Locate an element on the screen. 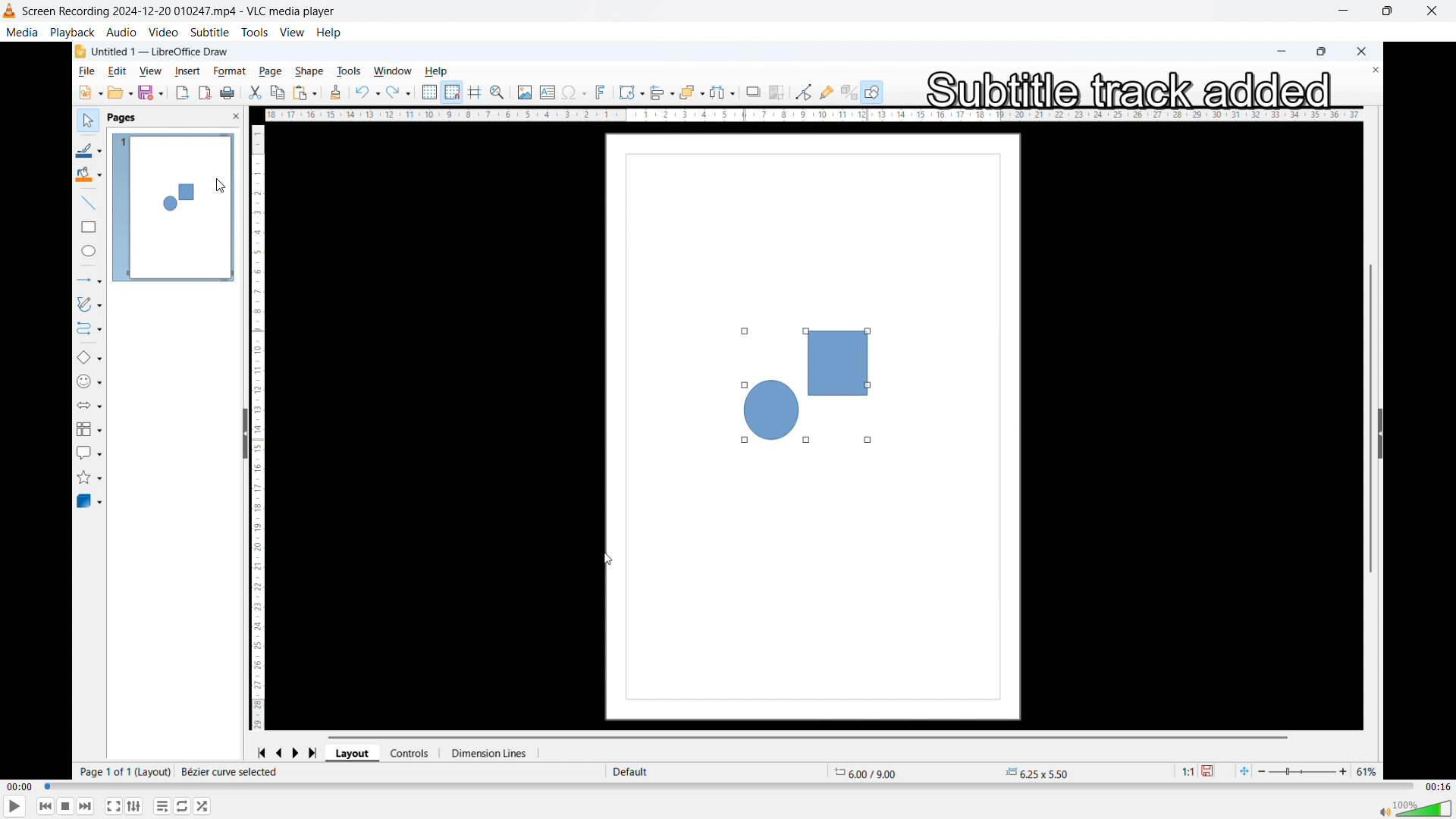 Image resolution: width=1456 pixels, height=819 pixels. Subtitle  is located at coordinates (209, 31).